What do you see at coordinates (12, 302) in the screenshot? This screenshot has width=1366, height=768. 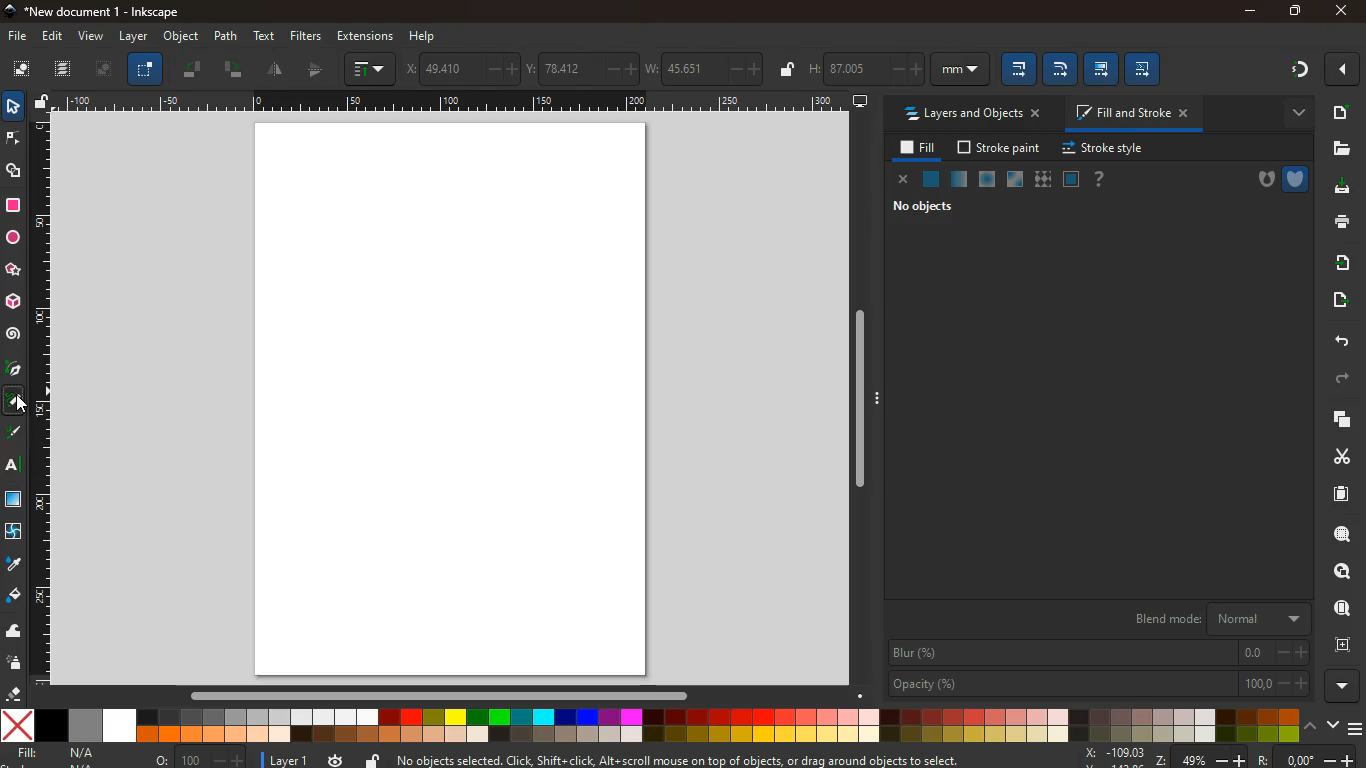 I see `3d tool` at bounding box center [12, 302].